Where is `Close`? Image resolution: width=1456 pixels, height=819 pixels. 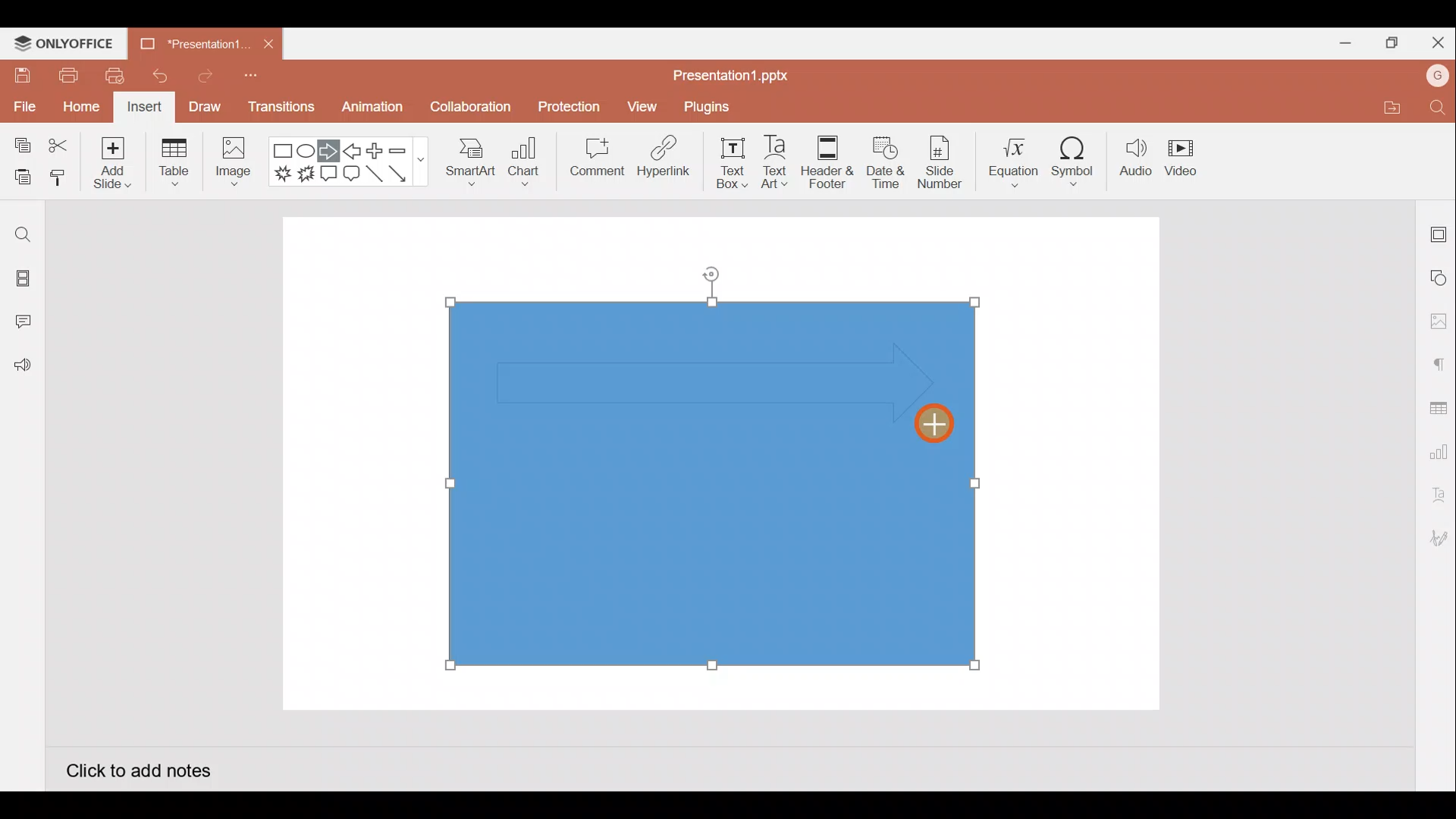 Close is located at coordinates (1435, 39).